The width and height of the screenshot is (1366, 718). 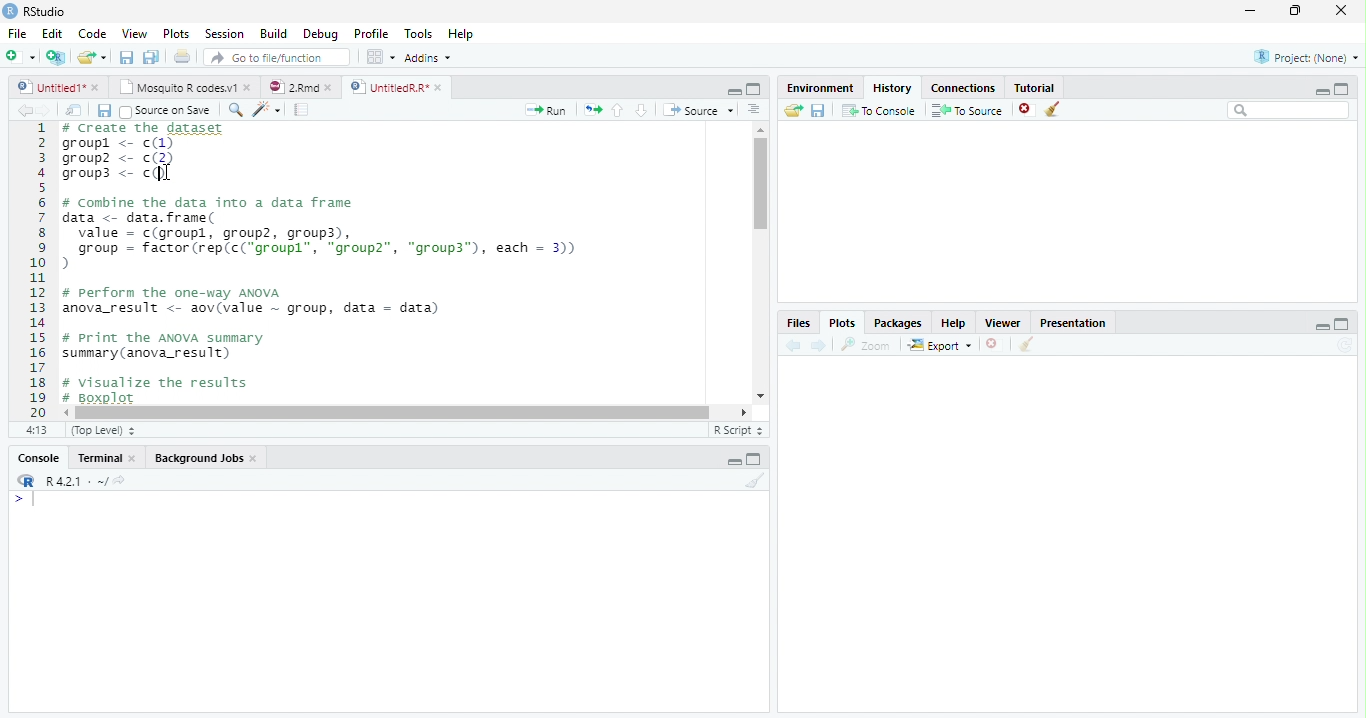 I want to click on Packages, so click(x=900, y=323).